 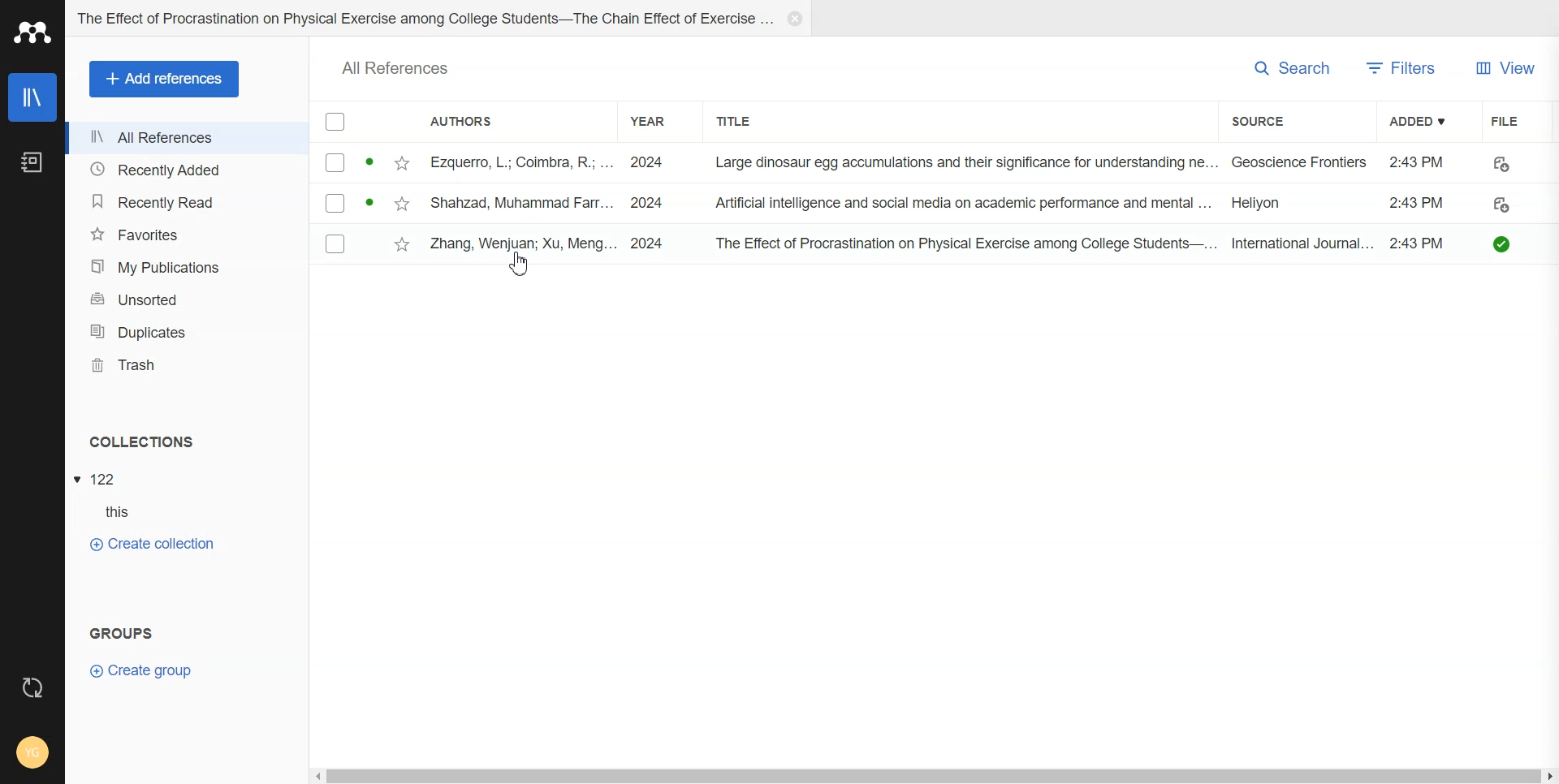 What do you see at coordinates (1262, 203) in the screenshot?
I see `Heliyon` at bounding box center [1262, 203].